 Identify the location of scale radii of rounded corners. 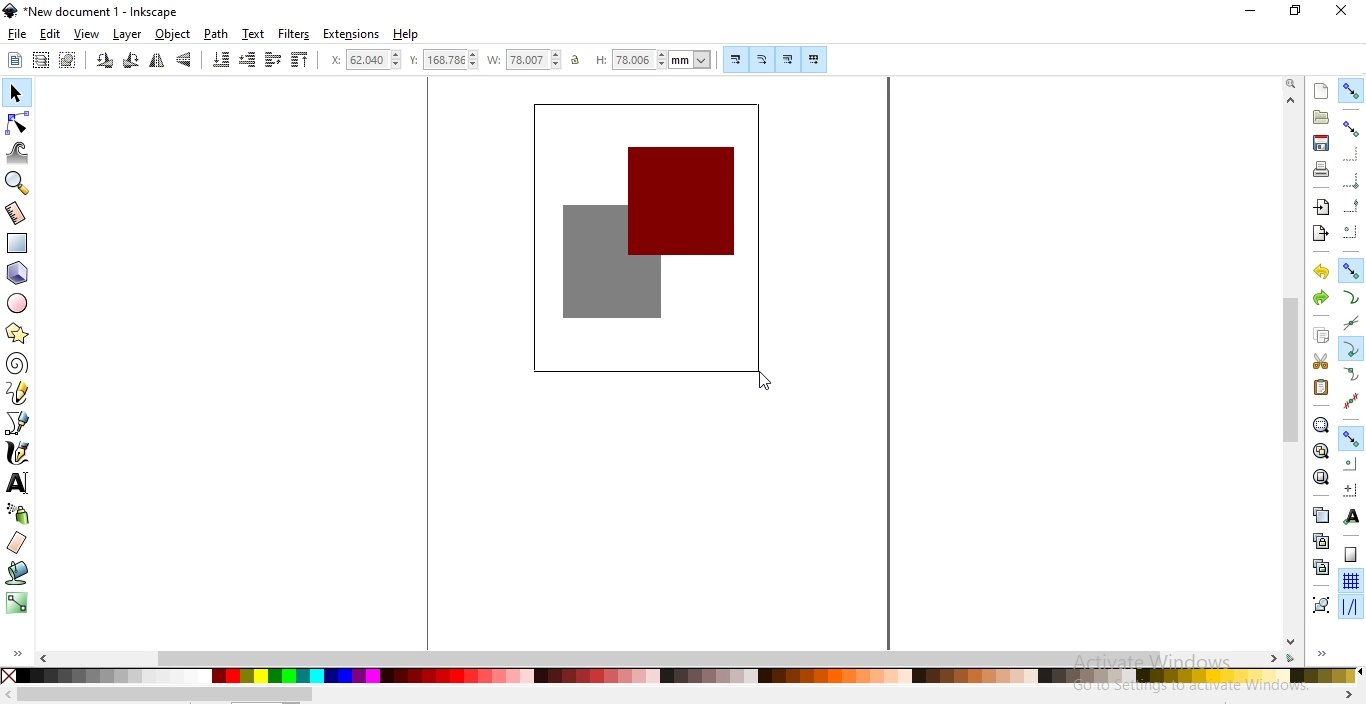
(763, 59).